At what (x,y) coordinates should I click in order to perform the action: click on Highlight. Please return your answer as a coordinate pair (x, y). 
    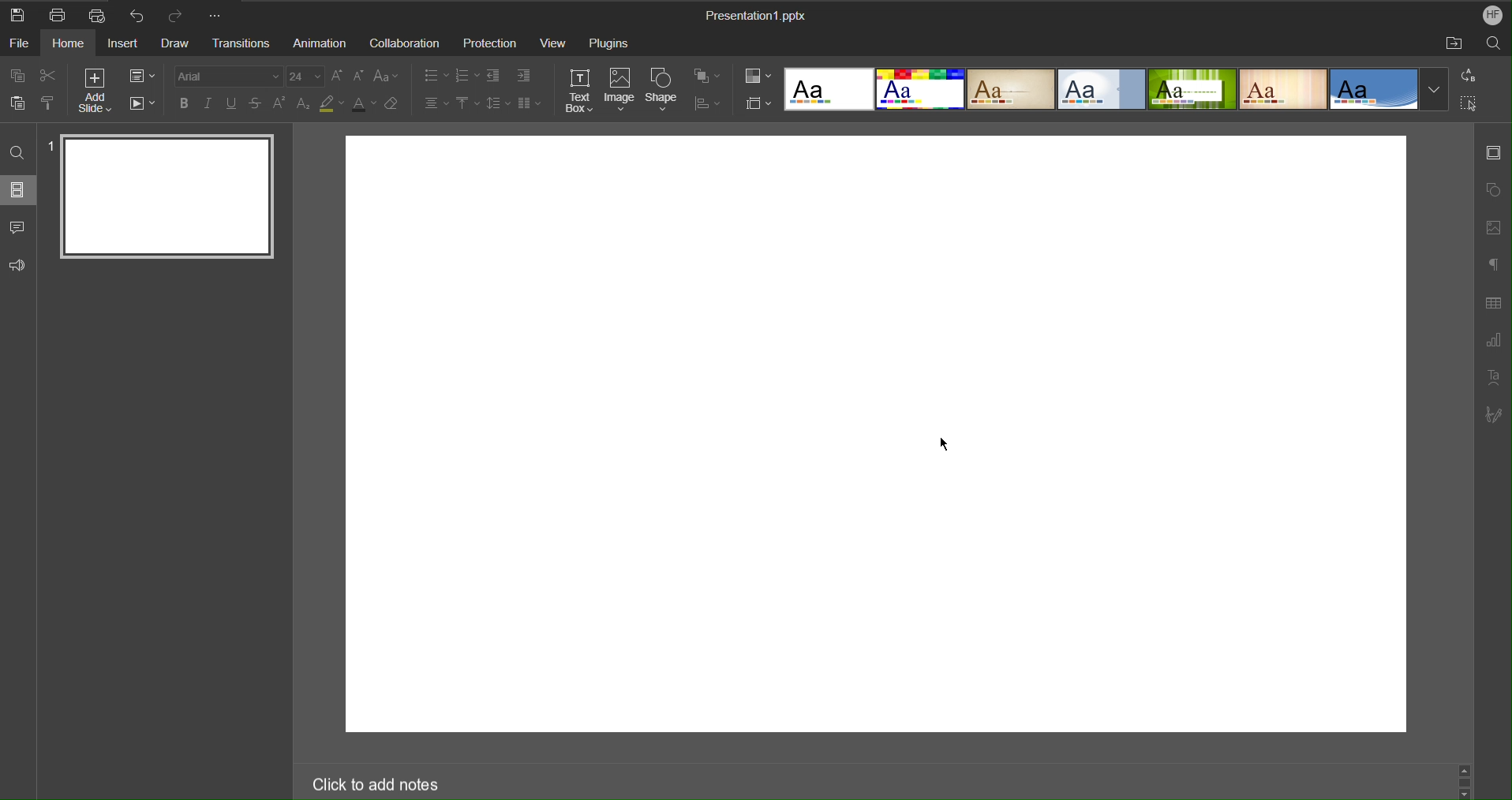
    Looking at the image, I should click on (331, 103).